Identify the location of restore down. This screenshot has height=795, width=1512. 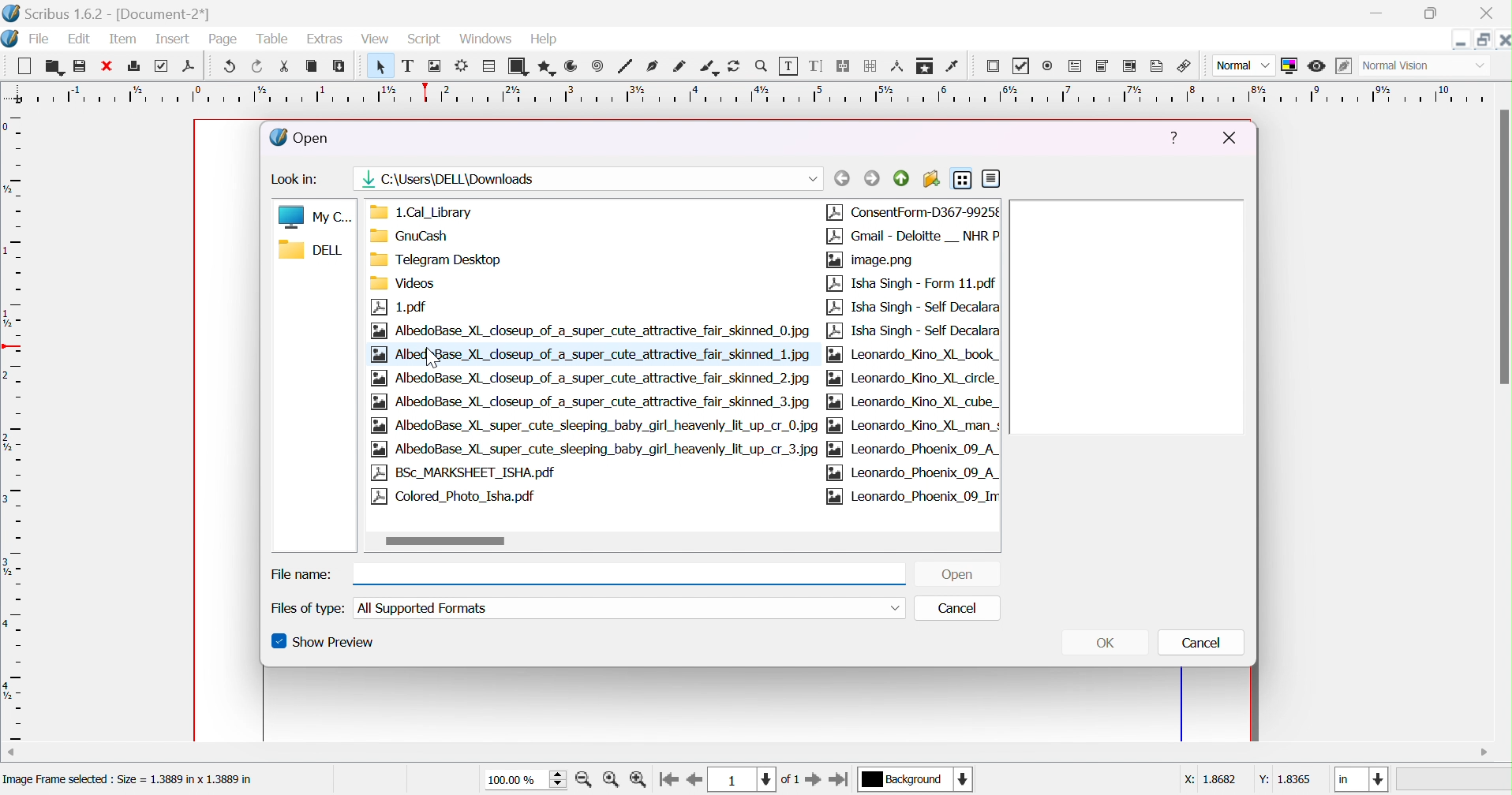
(1480, 36).